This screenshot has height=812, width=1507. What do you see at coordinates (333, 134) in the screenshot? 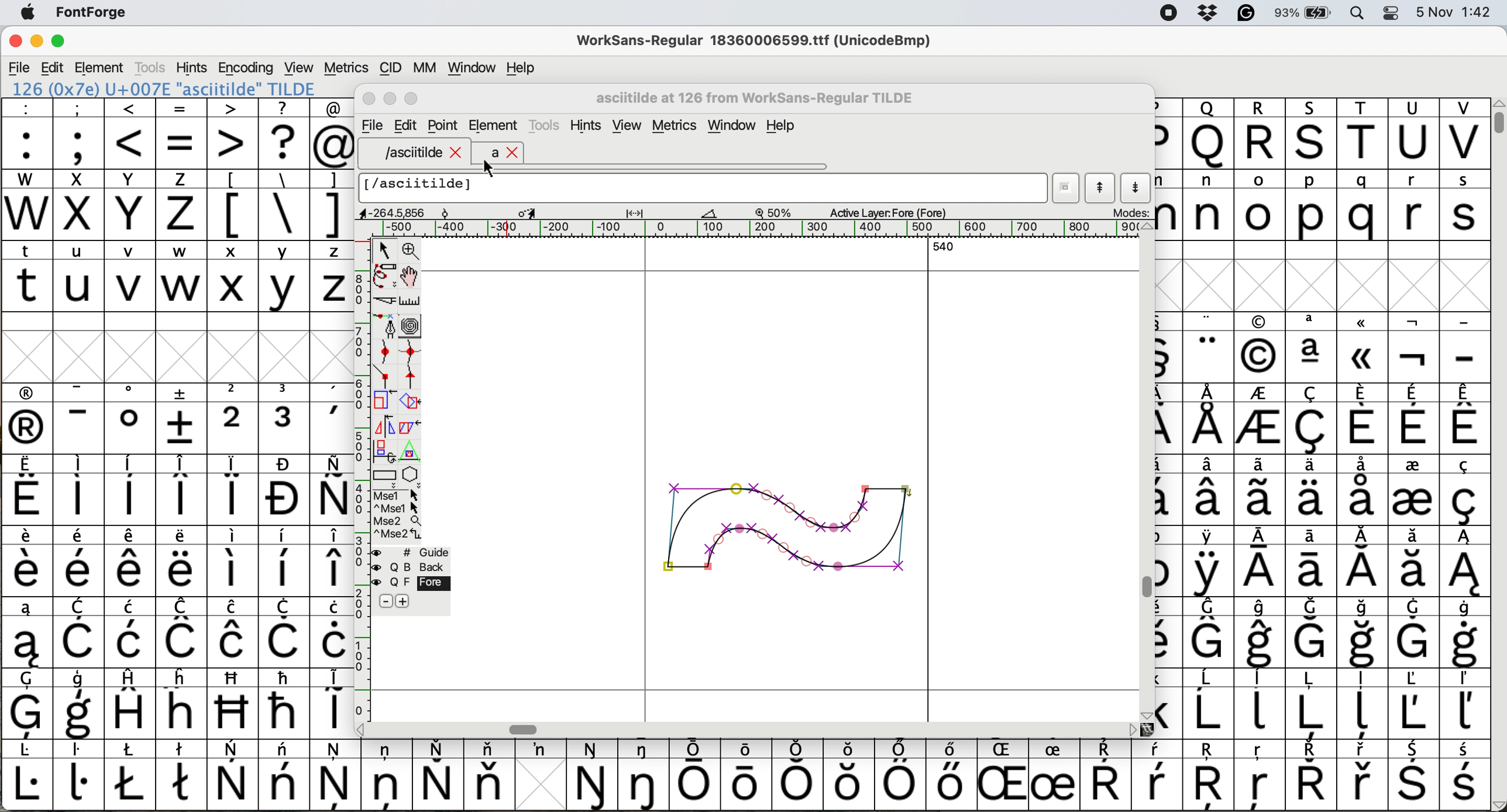
I see `@` at bounding box center [333, 134].